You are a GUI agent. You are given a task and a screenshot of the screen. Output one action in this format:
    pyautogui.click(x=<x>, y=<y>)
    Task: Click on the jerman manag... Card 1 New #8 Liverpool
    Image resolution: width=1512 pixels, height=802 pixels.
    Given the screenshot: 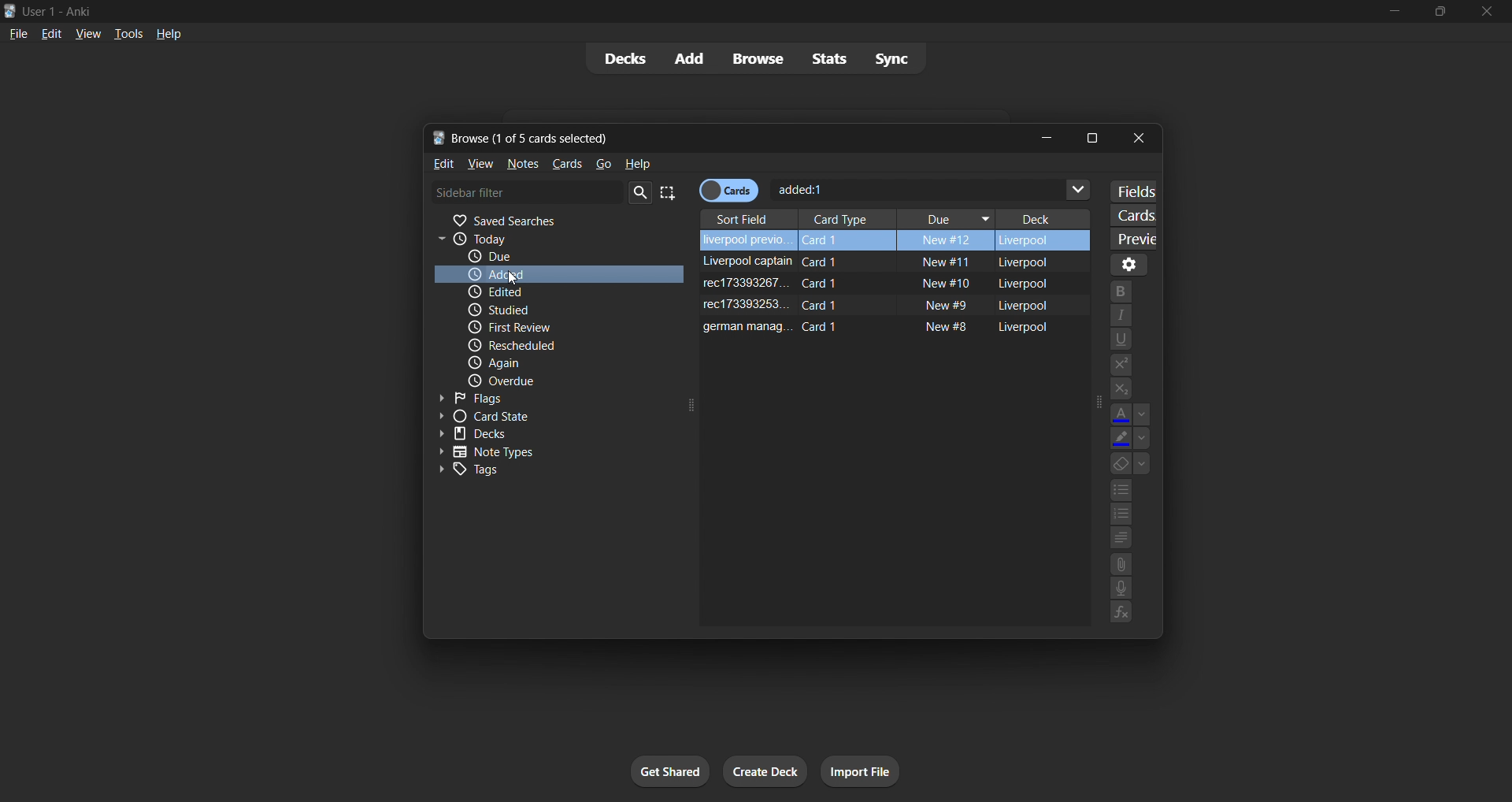 What is the action you would take?
    pyautogui.click(x=884, y=327)
    